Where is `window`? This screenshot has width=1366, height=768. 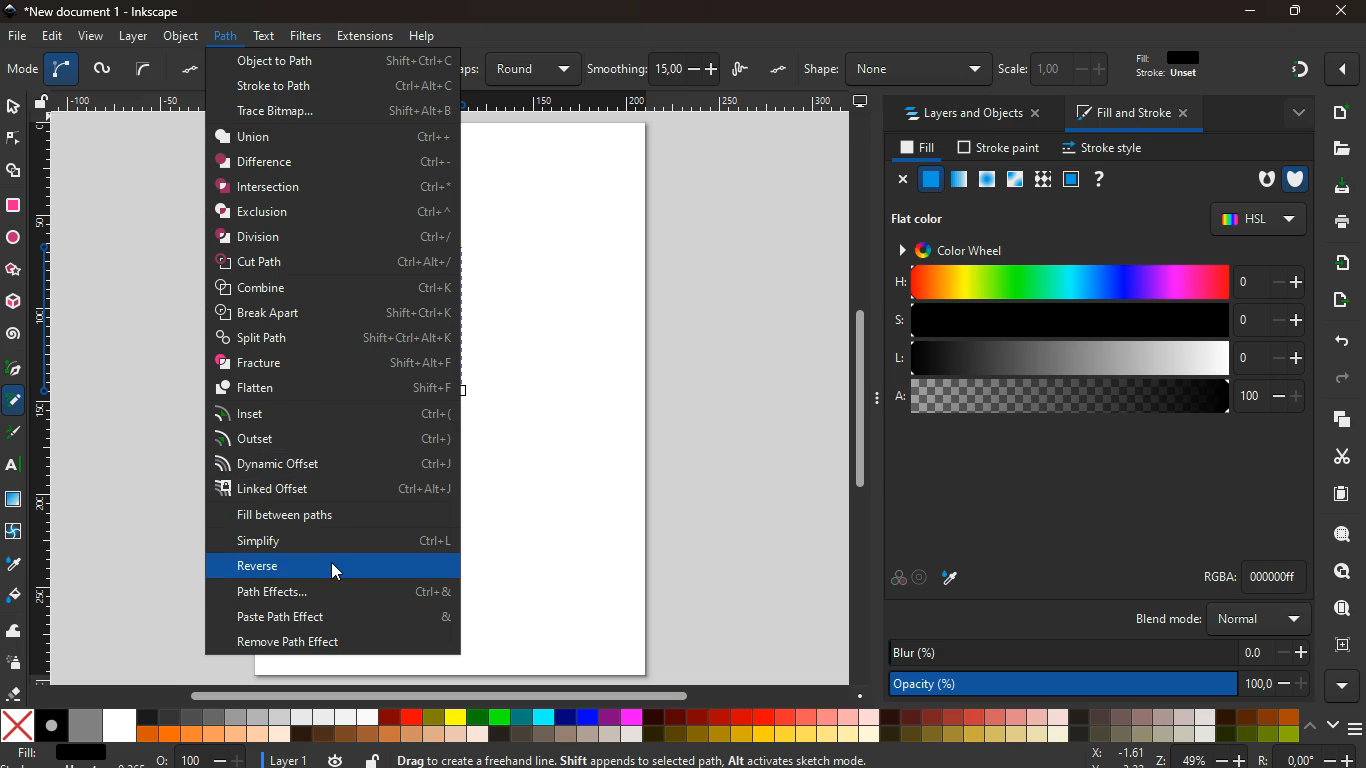 window is located at coordinates (1016, 180).